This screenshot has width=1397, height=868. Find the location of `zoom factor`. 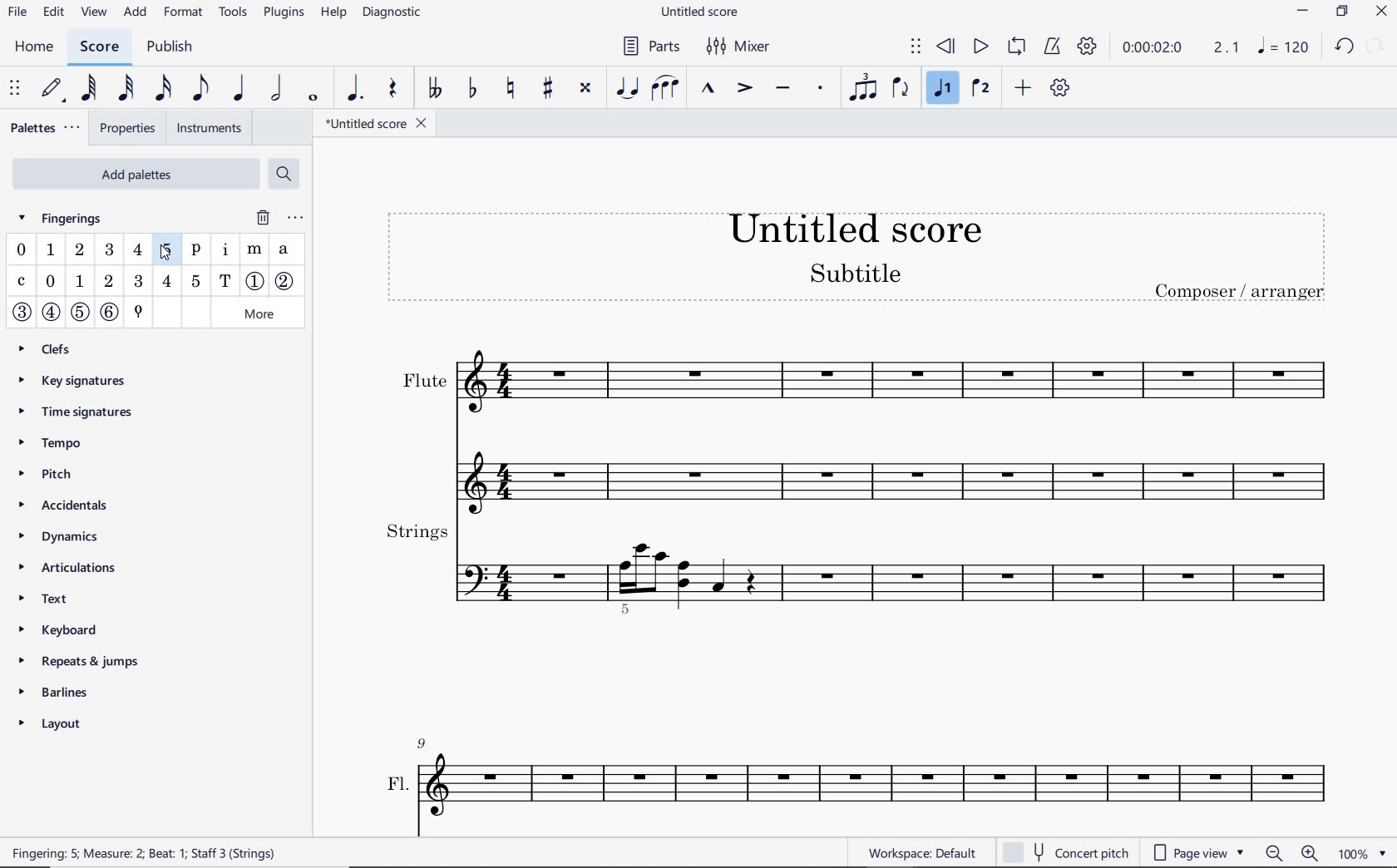

zoom factor is located at coordinates (1360, 852).